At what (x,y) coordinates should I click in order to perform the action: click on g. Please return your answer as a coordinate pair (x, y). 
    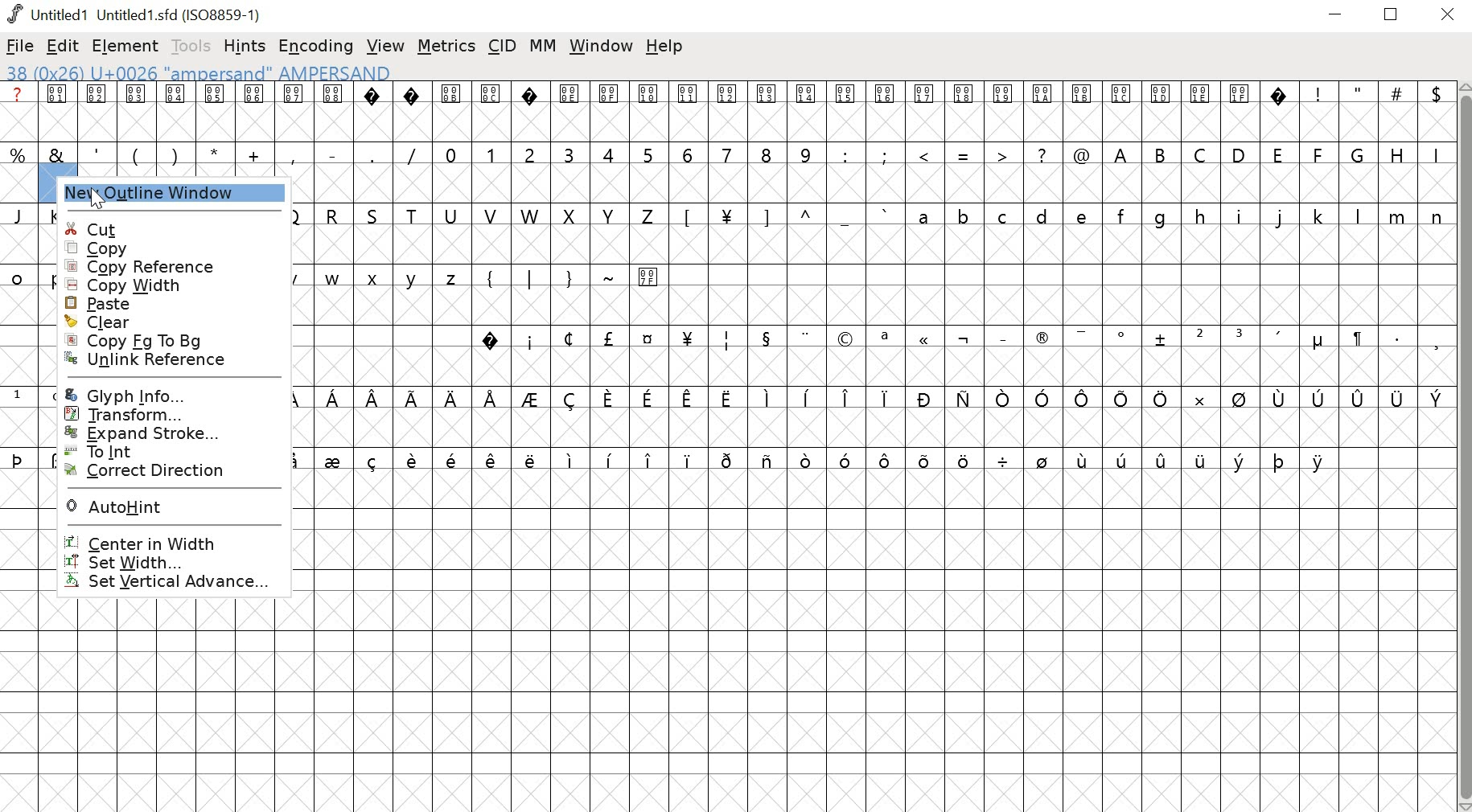
    Looking at the image, I should click on (1165, 216).